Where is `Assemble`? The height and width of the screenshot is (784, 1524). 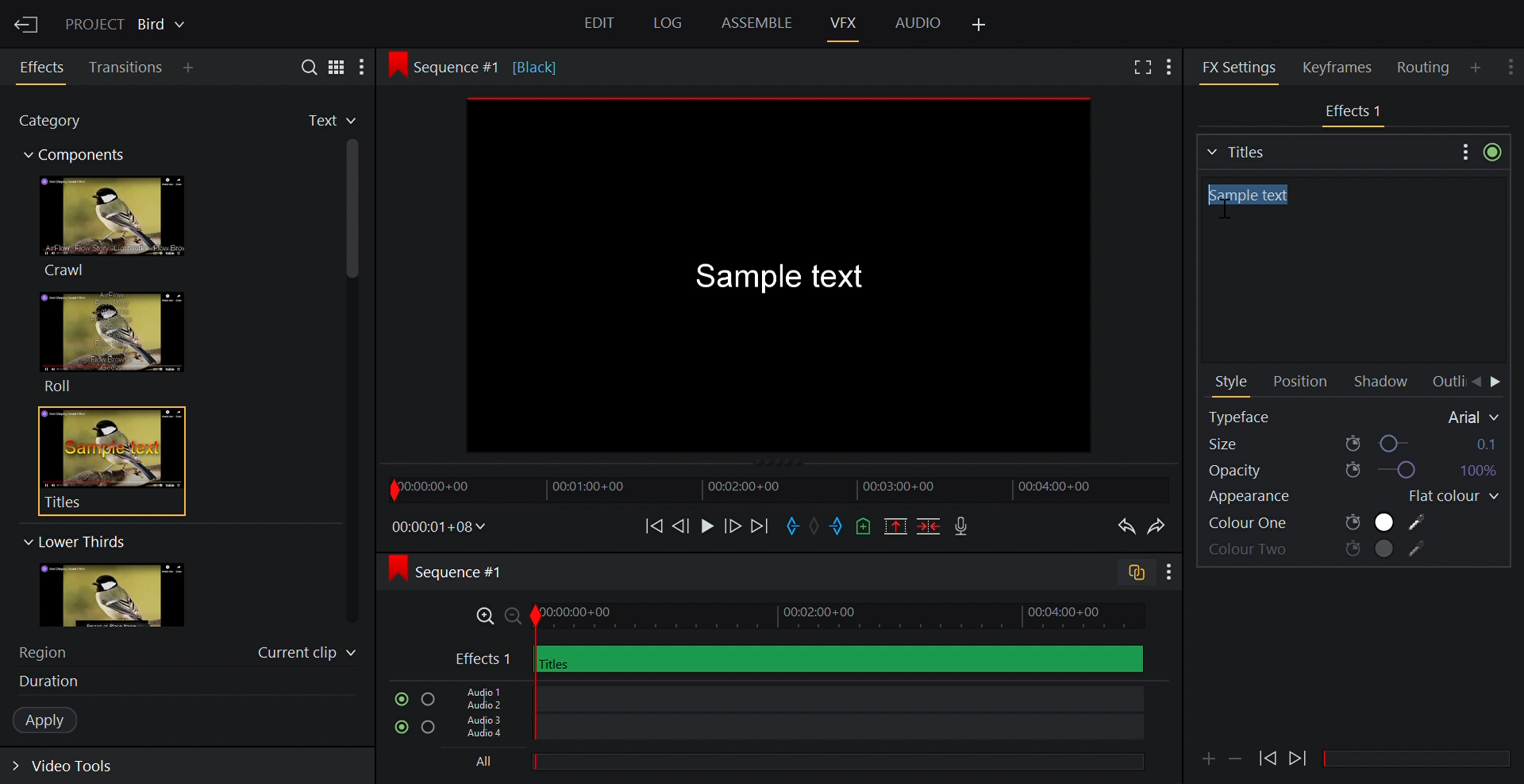
Assemble is located at coordinates (756, 23).